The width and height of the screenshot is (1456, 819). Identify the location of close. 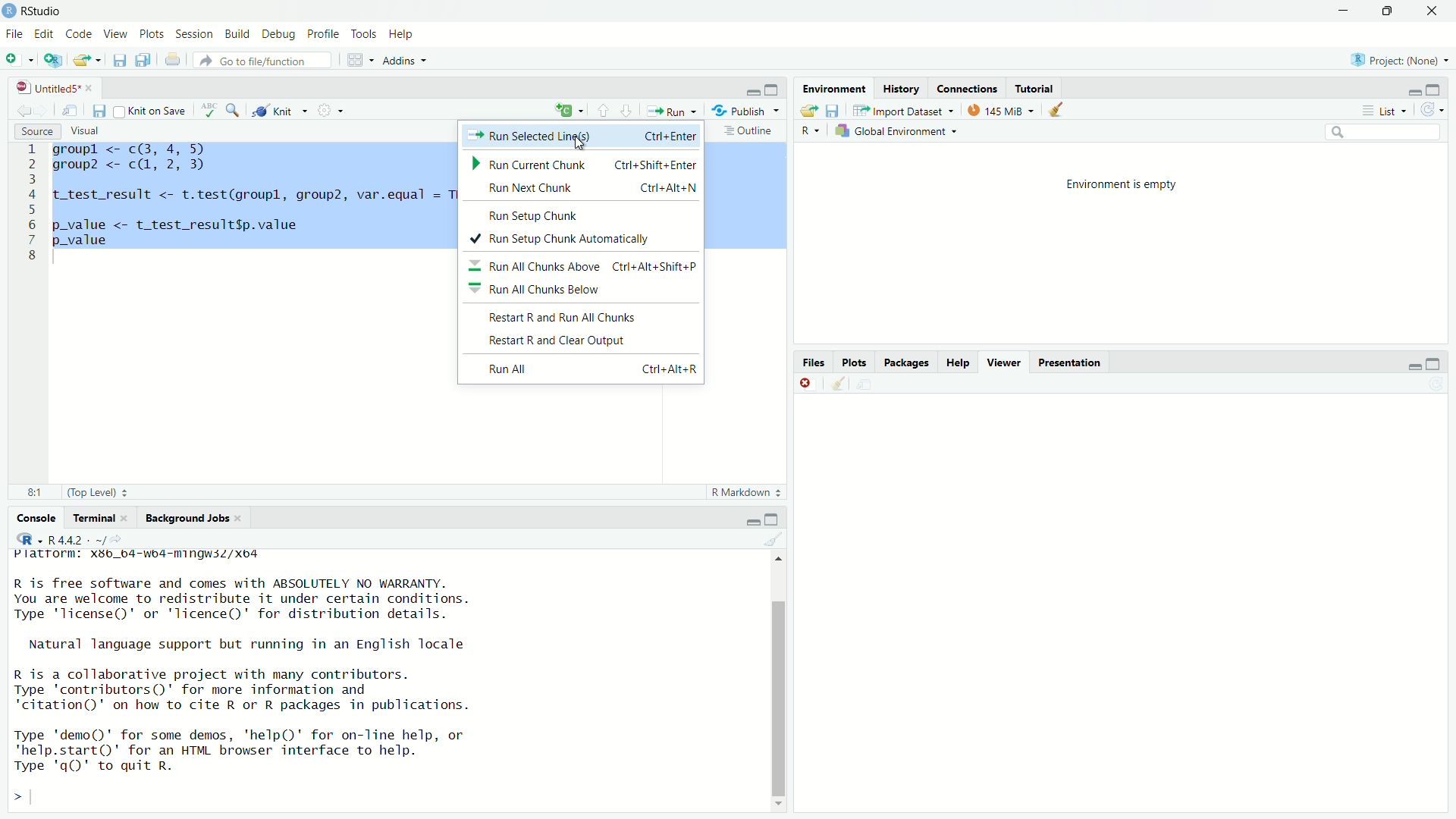
(1428, 11).